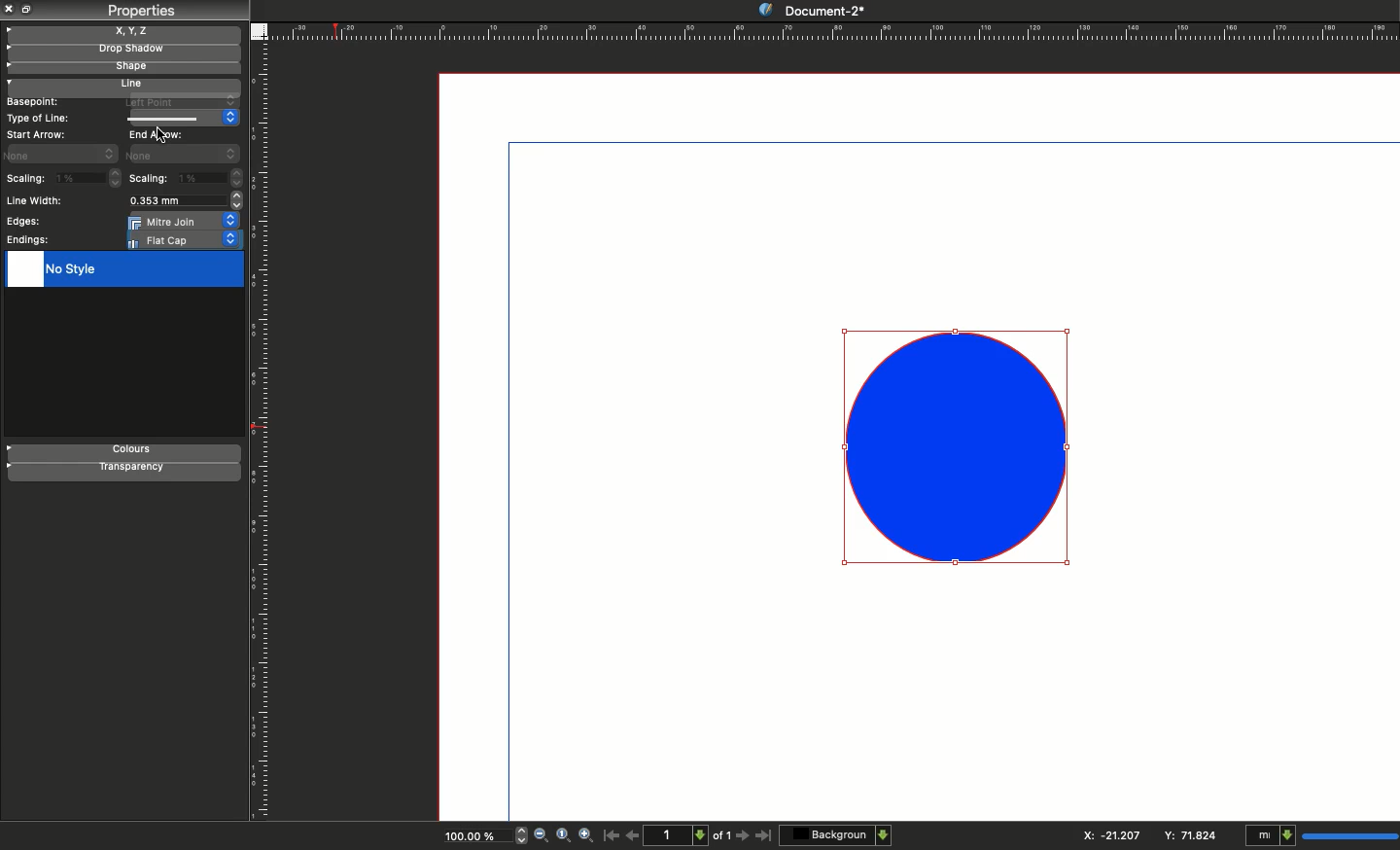 The width and height of the screenshot is (1400, 850). What do you see at coordinates (517, 834) in the screenshot?
I see `zoom in and out` at bounding box center [517, 834].